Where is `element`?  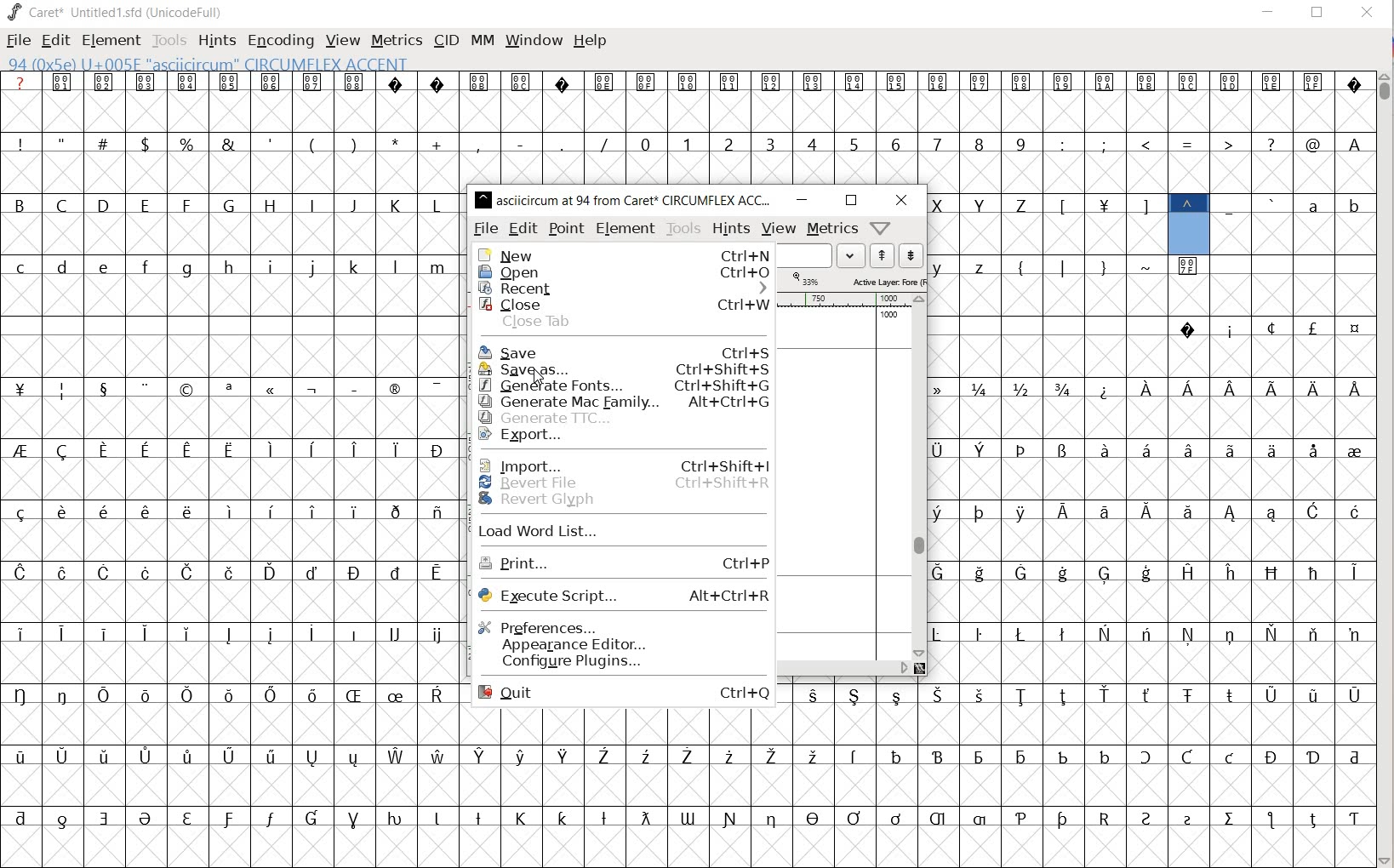
element is located at coordinates (626, 228).